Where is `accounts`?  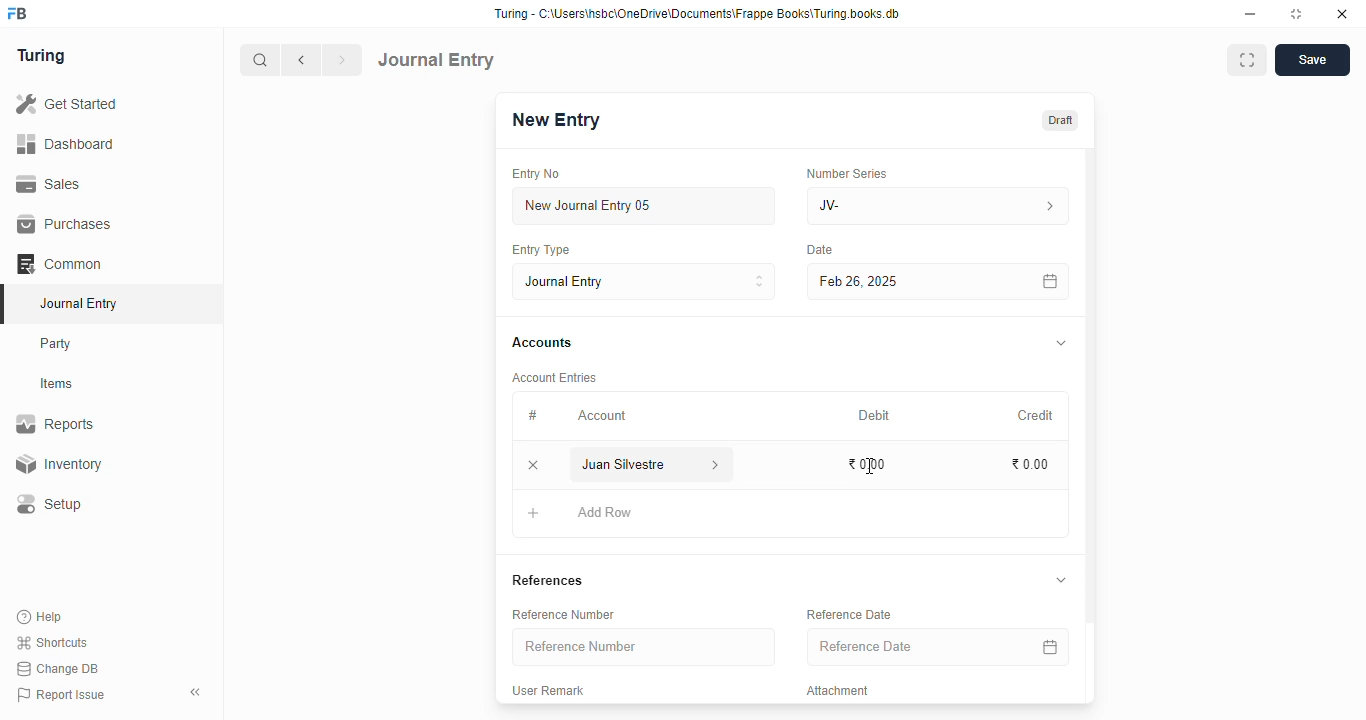
accounts is located at coordinates (542, 343).